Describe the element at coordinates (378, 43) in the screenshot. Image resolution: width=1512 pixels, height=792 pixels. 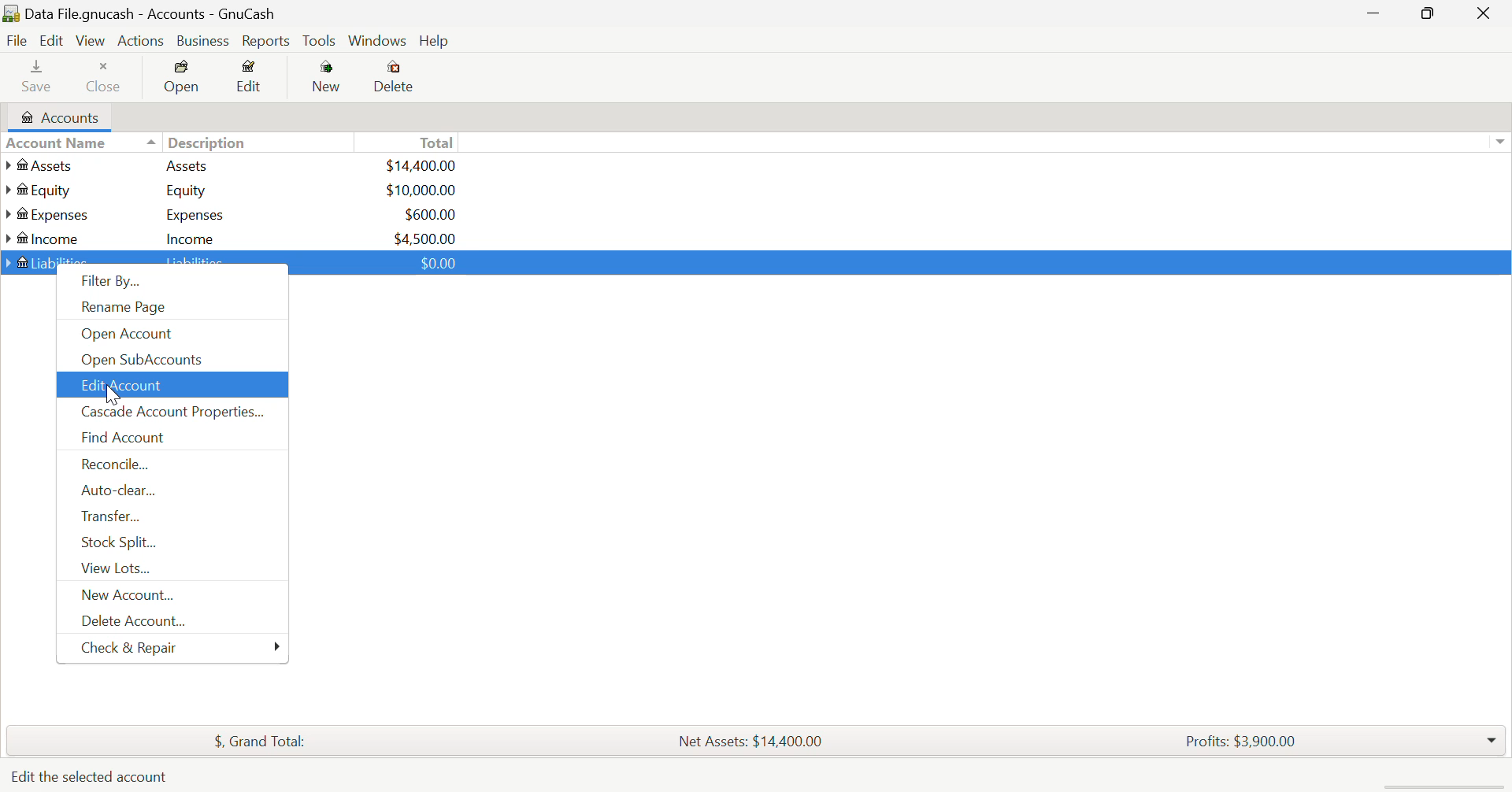
I see `Windows` at that location.